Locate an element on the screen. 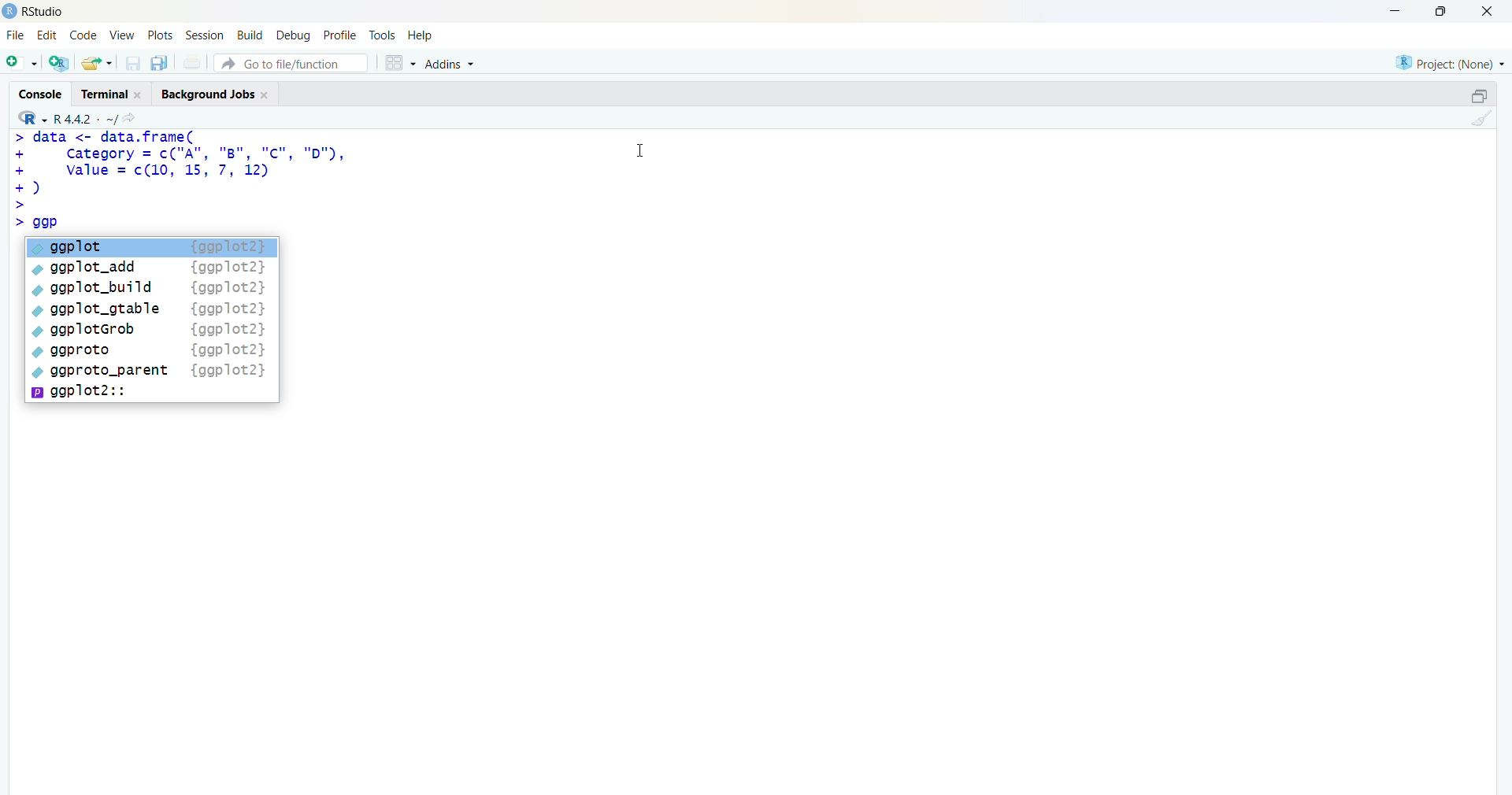  Terminal is located at coordinates (109, 92).